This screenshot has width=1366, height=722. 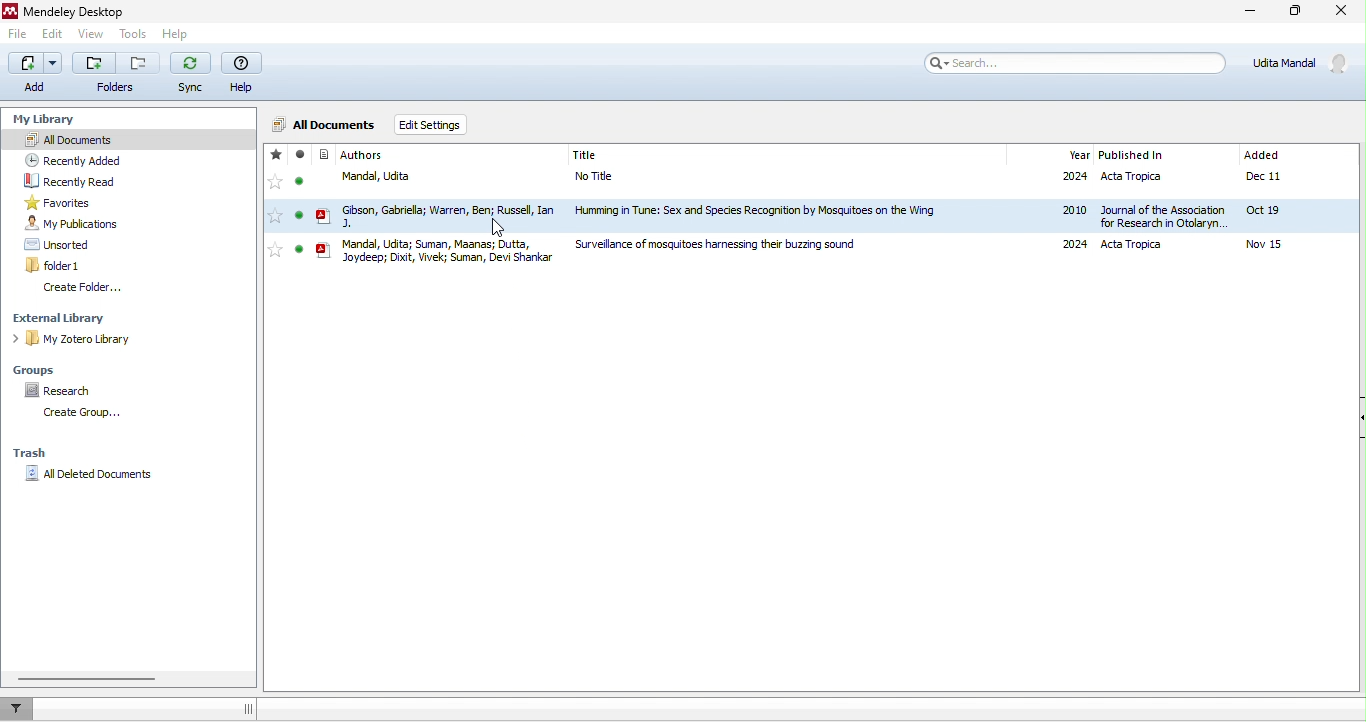 What do you see at coordinates (90, 12) in the screenshot?
I see `mendeley desktop` at bounding box center [90, 12].